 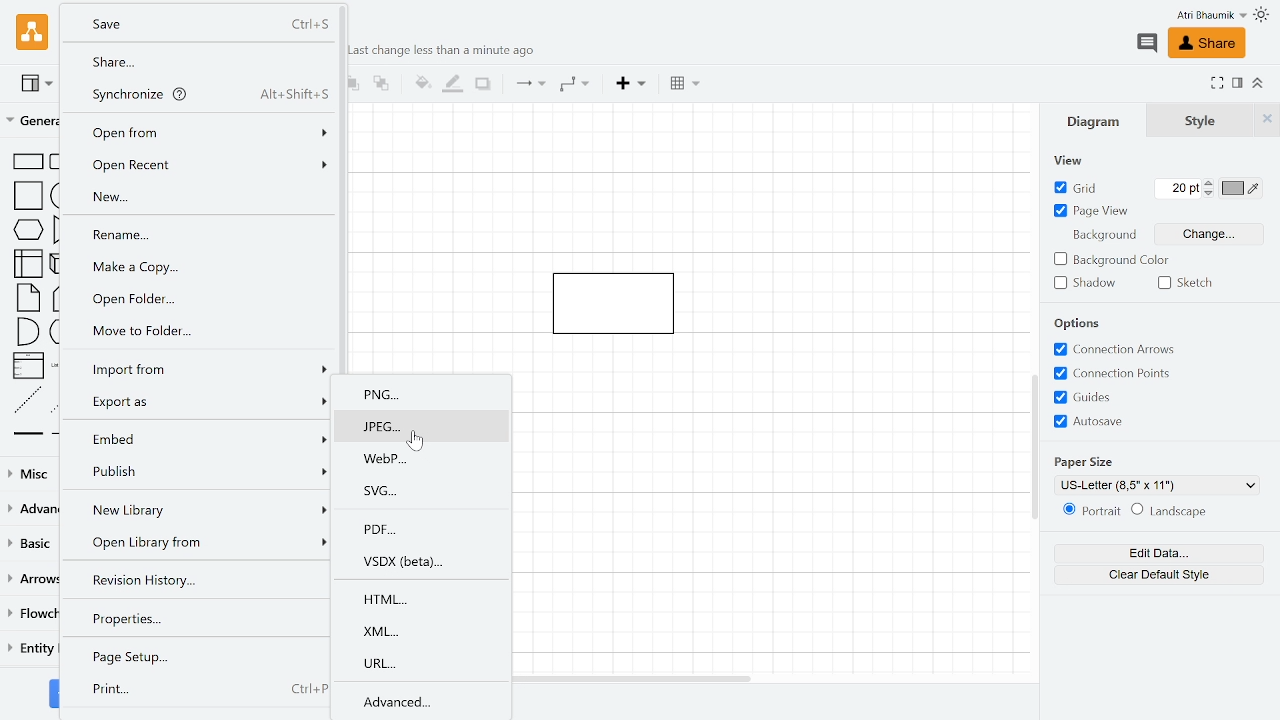 What do you see at coordinates (1208, 234) in the screenshot?
I see `Change background` at bounding box center [1208, 234].